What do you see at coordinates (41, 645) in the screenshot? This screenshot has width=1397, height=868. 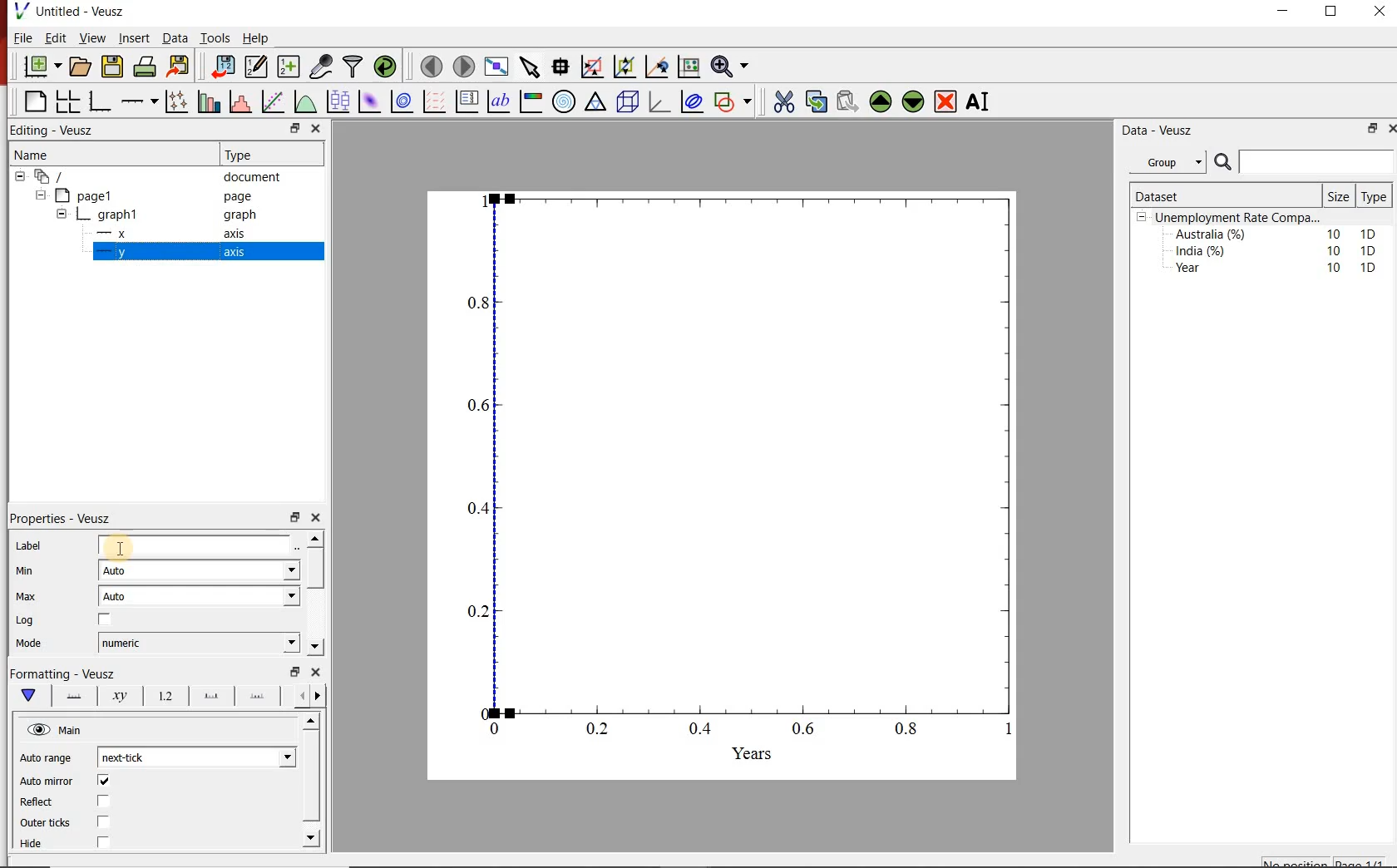 I see `Mode` at bounding box center [41, 645].